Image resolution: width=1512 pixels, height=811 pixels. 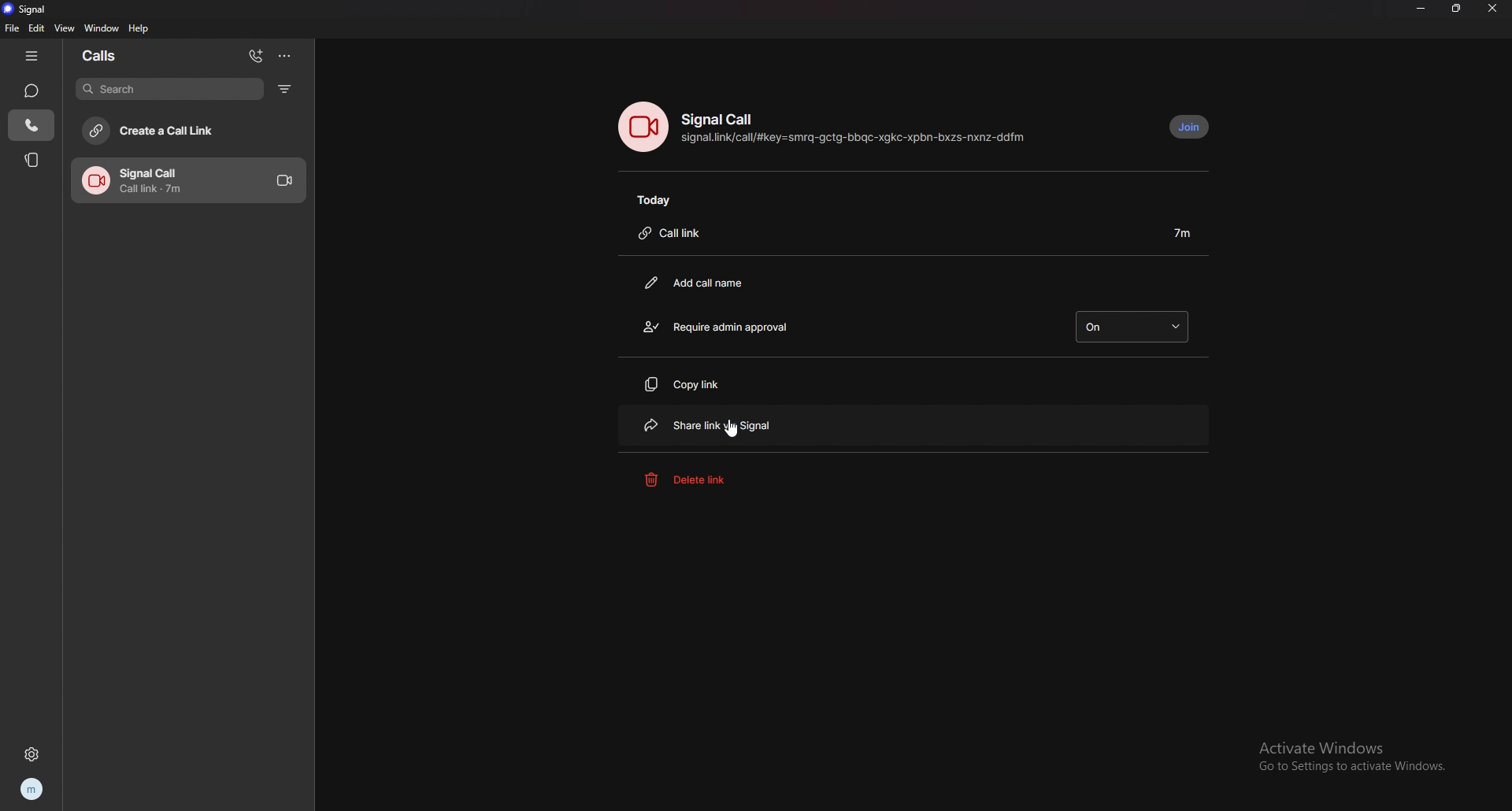 What do you see at coordinates (721, 326) in the screenshot?
I see `require admin approval` at bounding box center [721, 326].